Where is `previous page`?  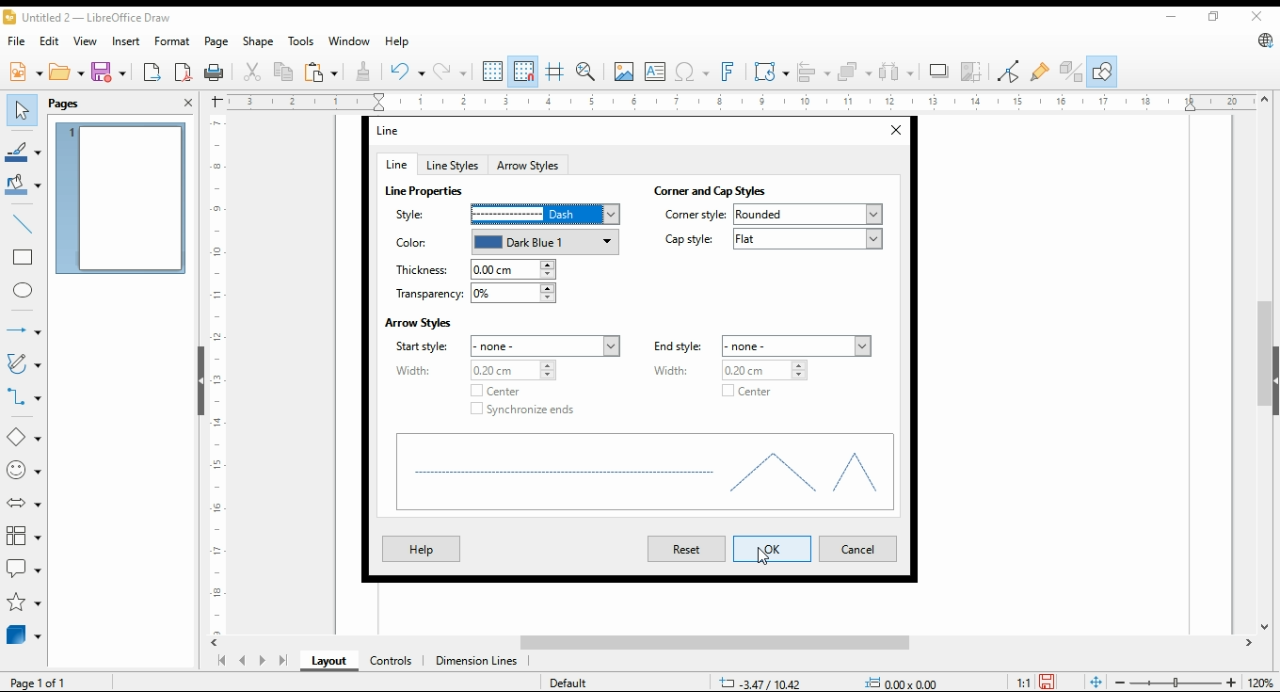 previous page is located at coordinates (243, 662).